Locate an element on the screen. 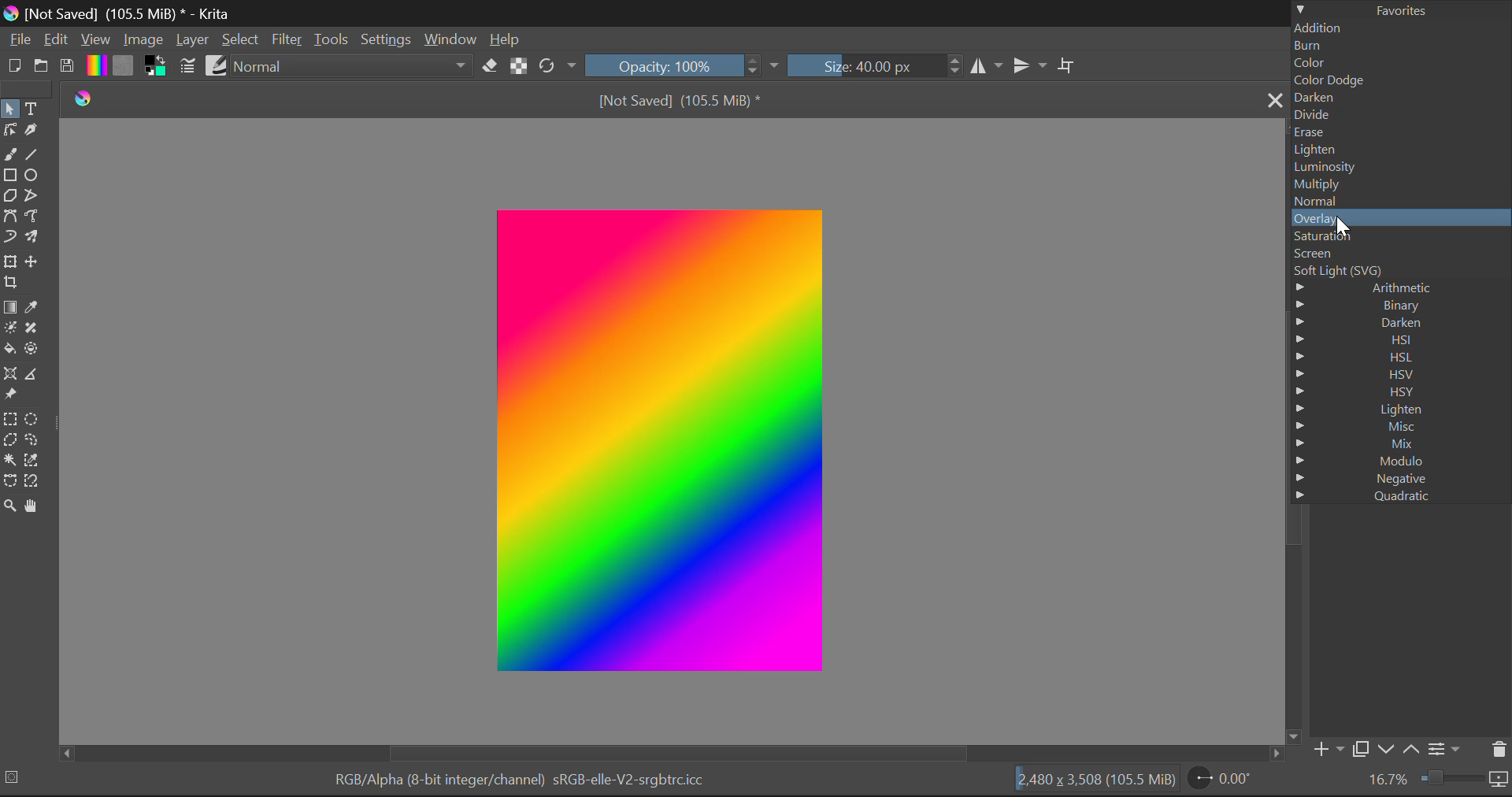  Multibrush Tool is located at coordinates (33, 235).